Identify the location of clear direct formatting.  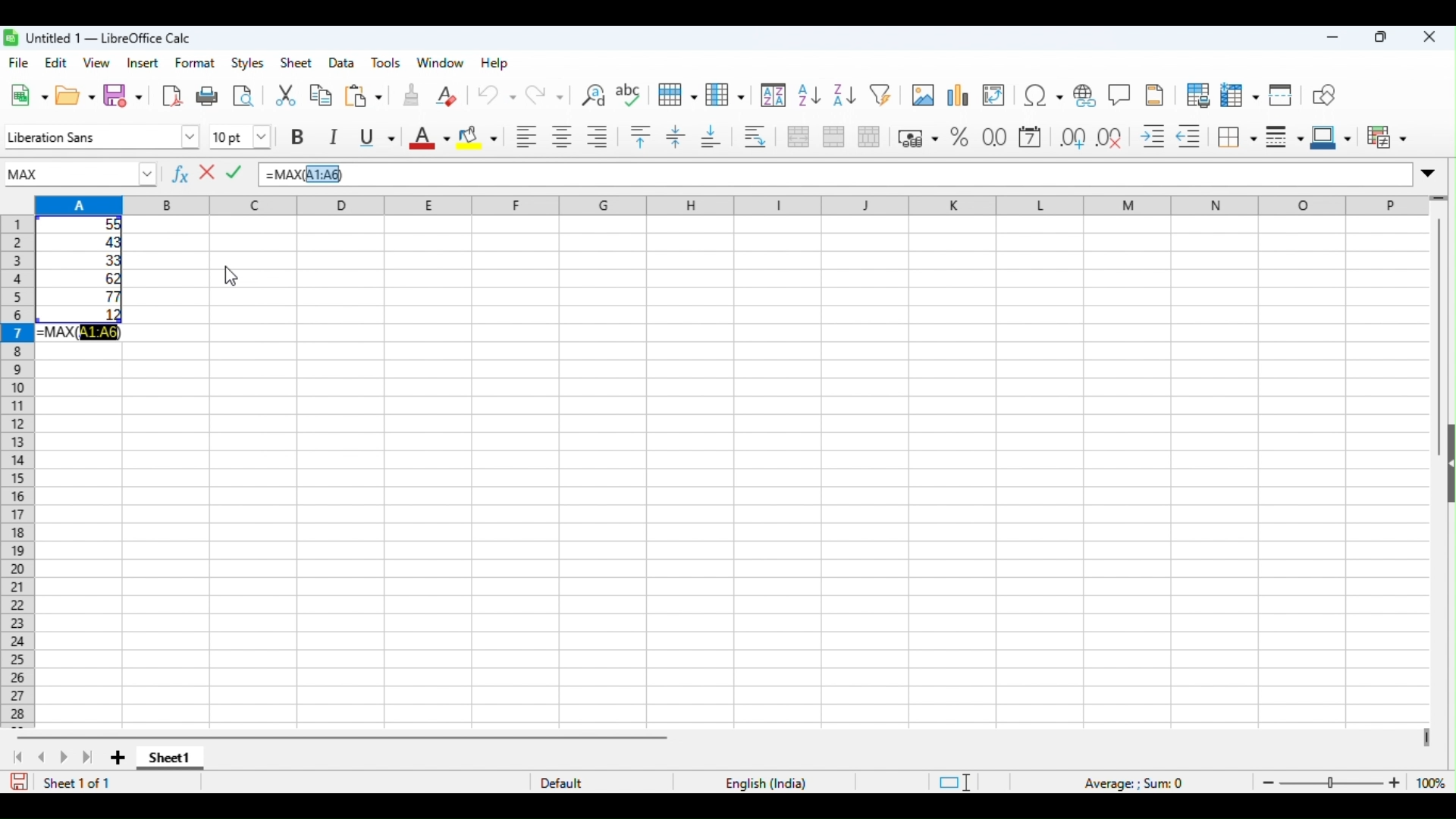
(447, 96).